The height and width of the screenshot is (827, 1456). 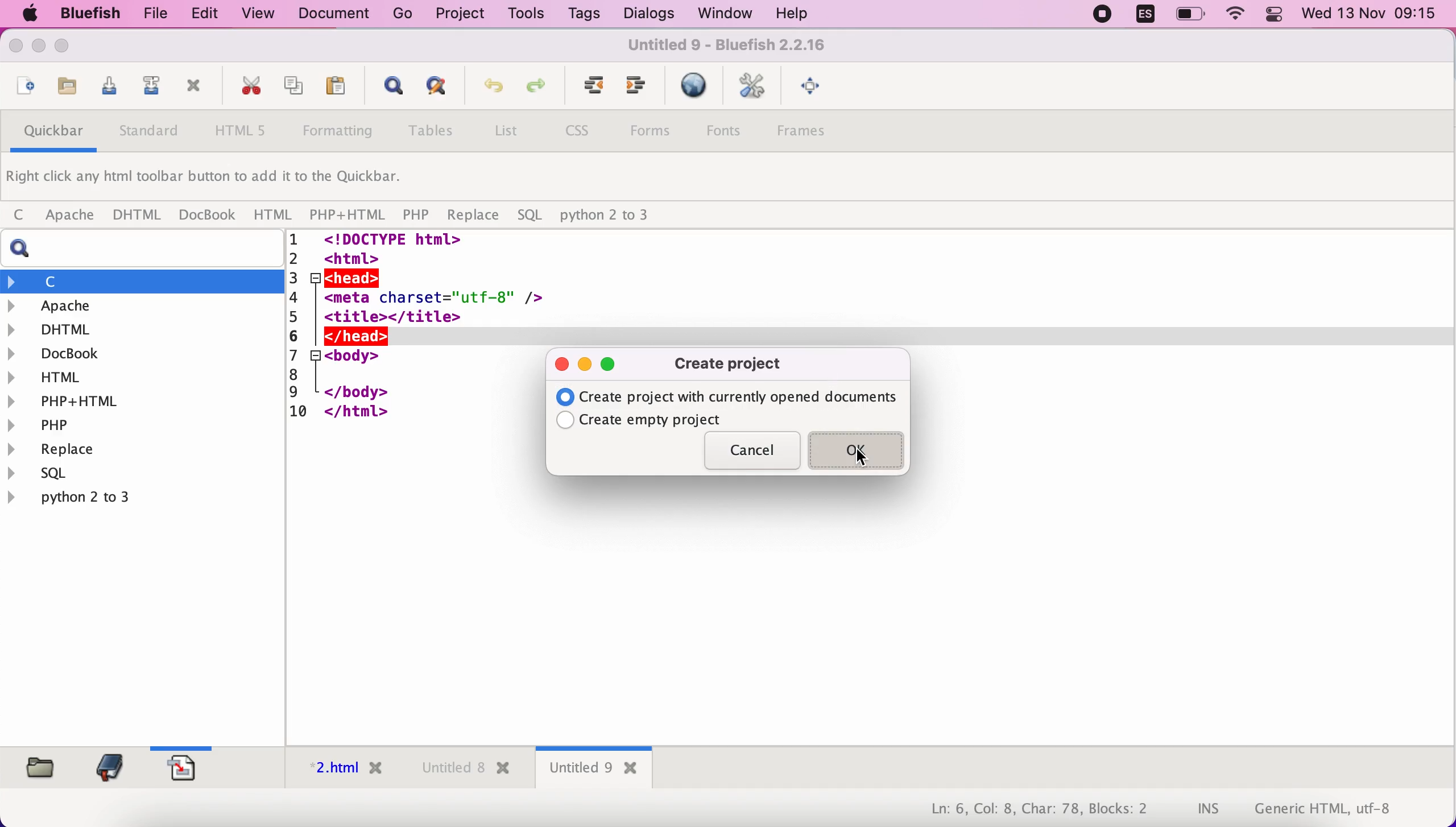 What do you see at coordinates (615, 216) in the screenshot?
I see `python 2 to 3` at bounding box center [615, 216].